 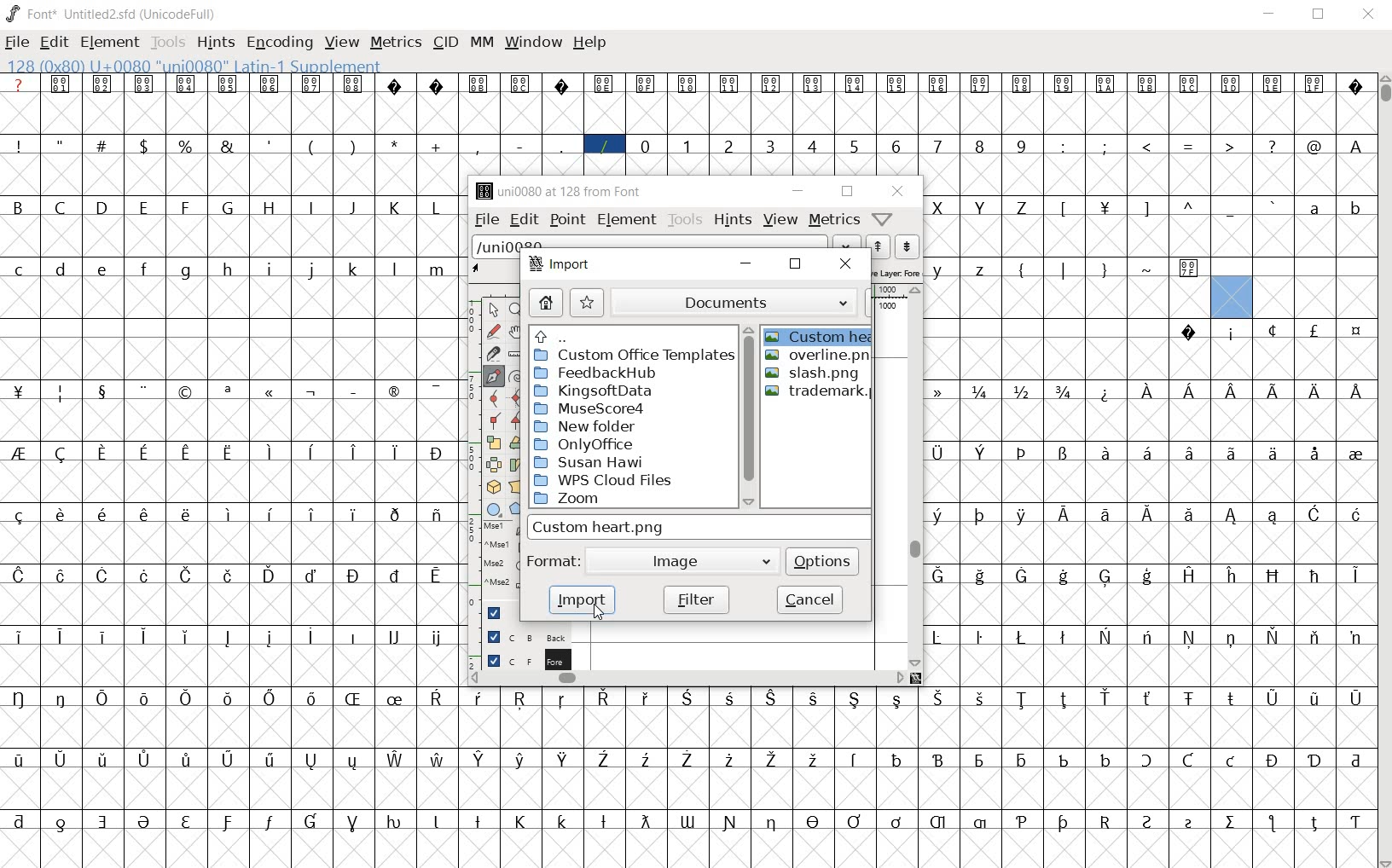 I want to click on glyph, so click(x=1147, y=391).